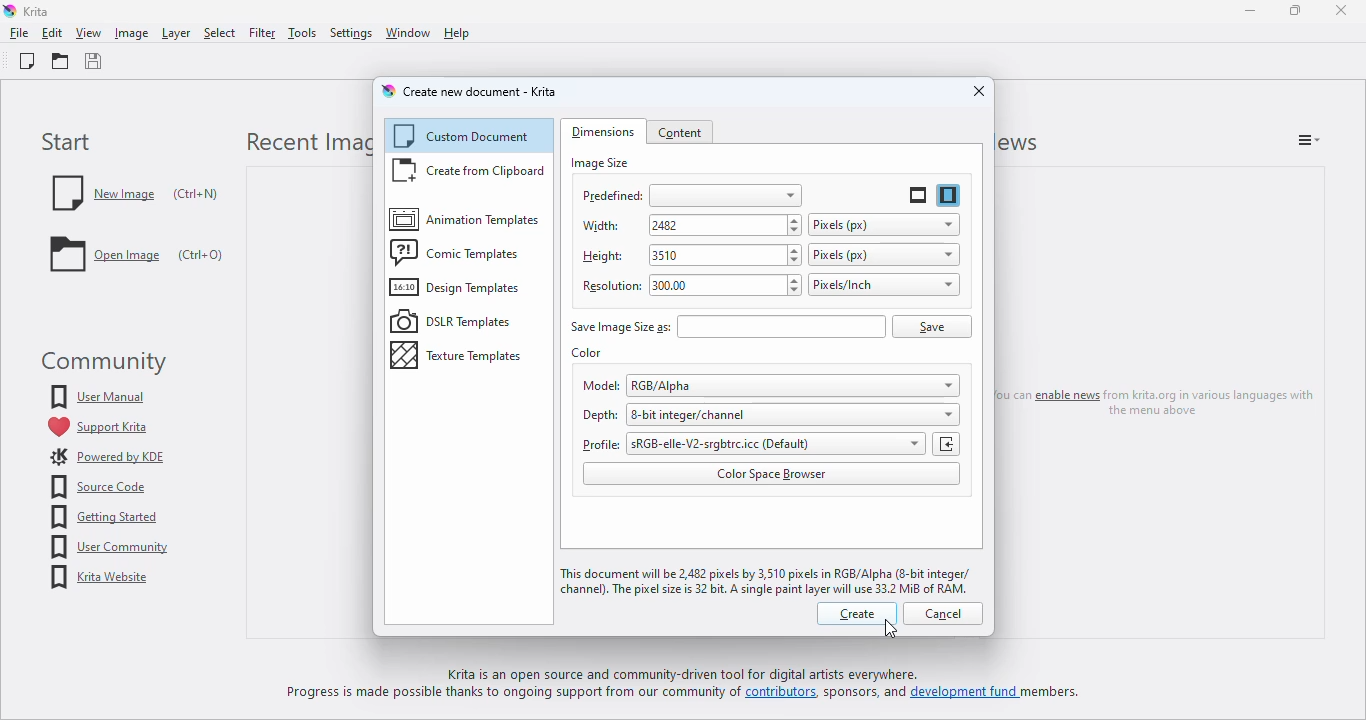  Describe the element at coordinates (794, 279) in the screenshot. I see `Increase` at that location.